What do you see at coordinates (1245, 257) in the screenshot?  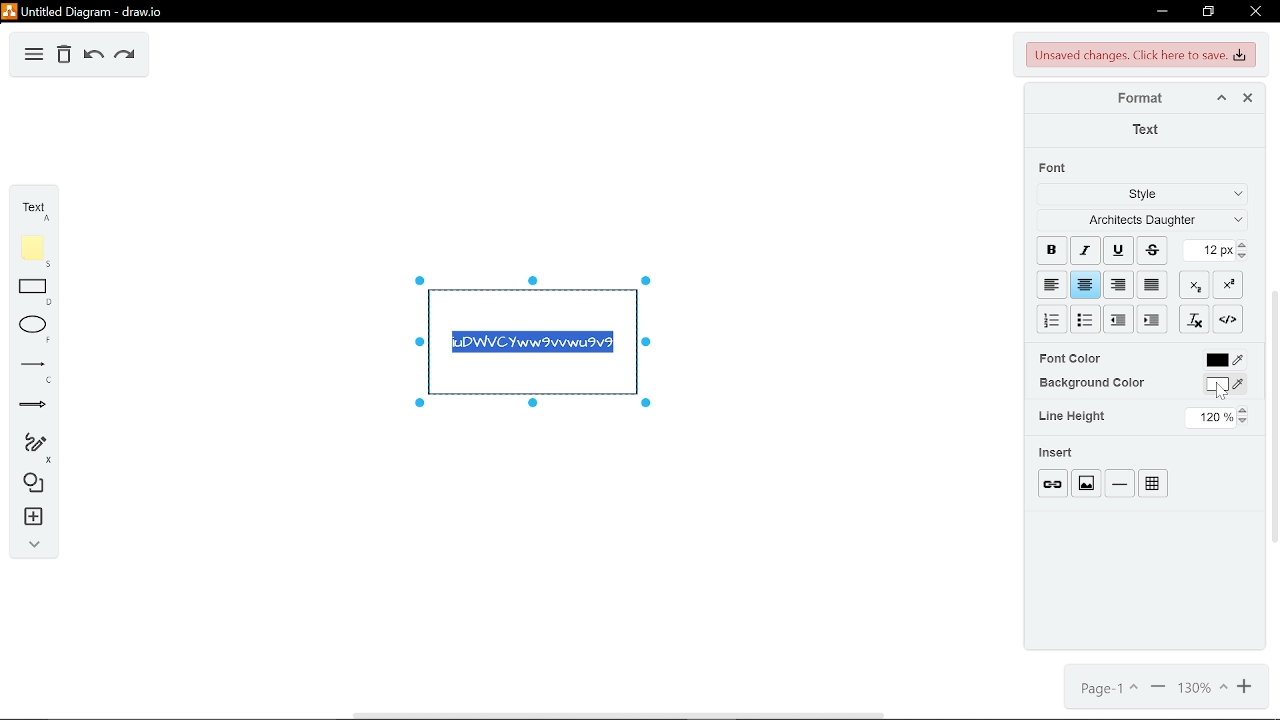 I see `decrease text size` at bounding box center [1245, 257].